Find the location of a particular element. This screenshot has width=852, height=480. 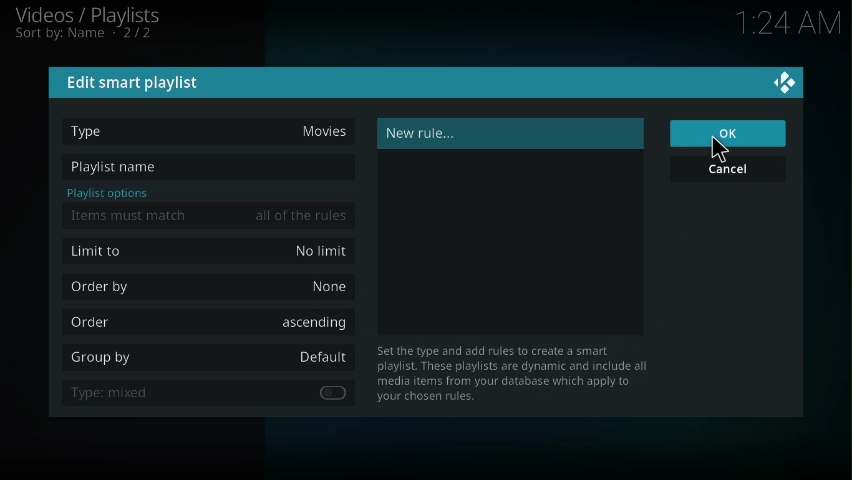

time is located at coordinates (792, 20).